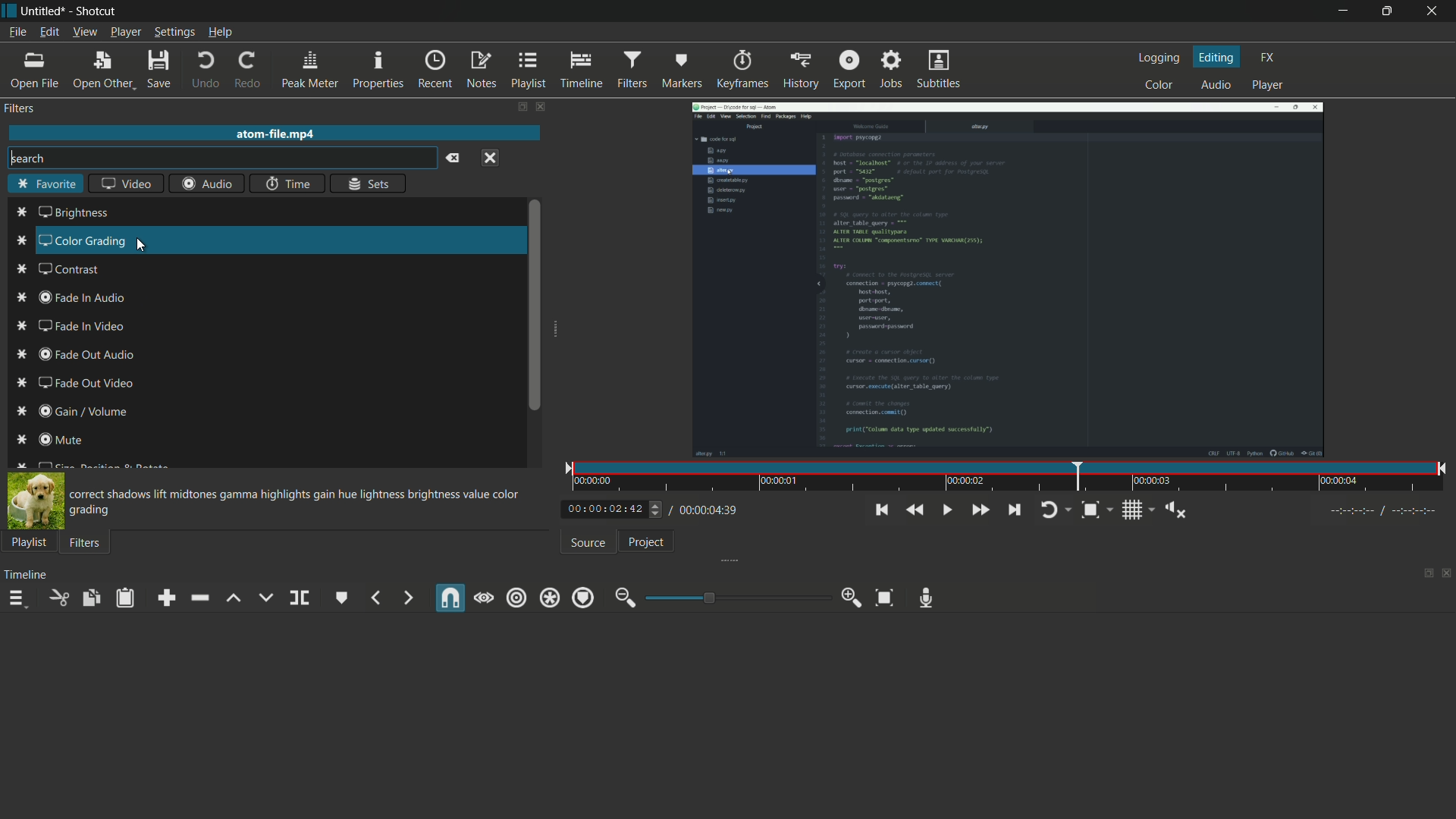 Image resolution: width=1456 pixels, height=819 pixels. Describe the element at coordinates (83, 357) in the screenshot. I see `fade out audio` at that location.